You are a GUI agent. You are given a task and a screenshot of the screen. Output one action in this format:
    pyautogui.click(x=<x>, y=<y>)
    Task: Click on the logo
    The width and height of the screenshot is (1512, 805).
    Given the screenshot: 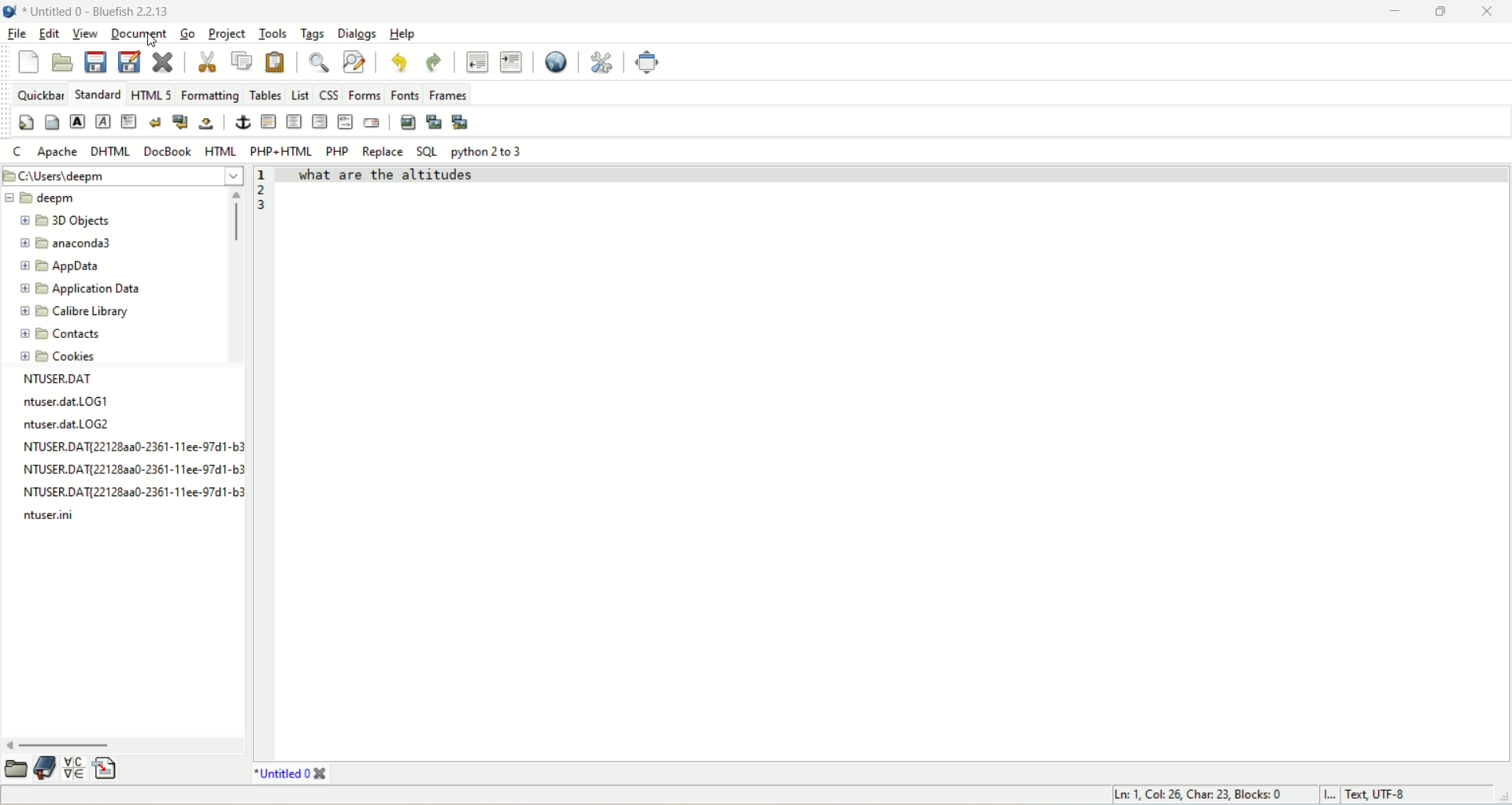 What is the action you would take?
    pyautogui.click(x=9, y=11)
    